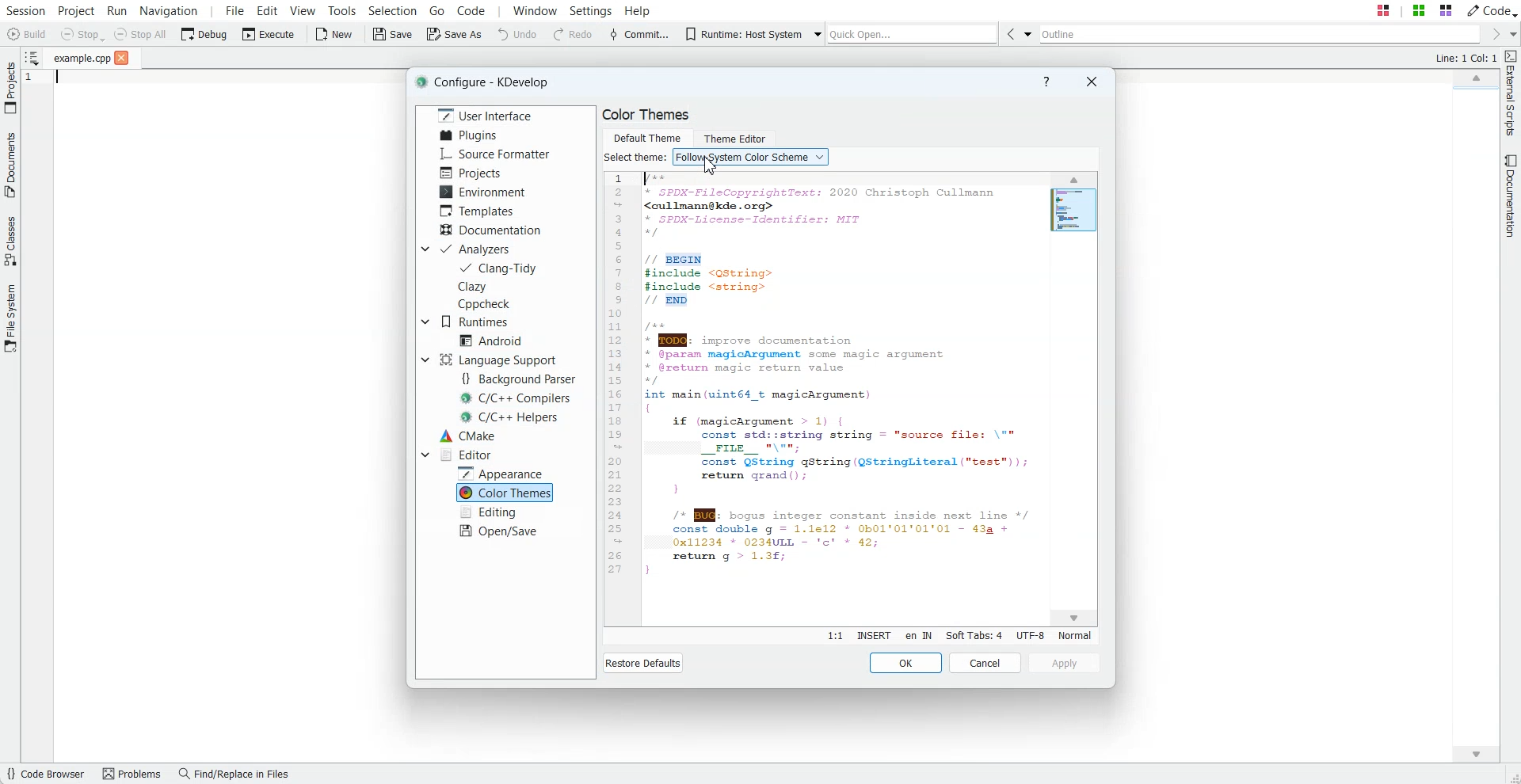 This screenshot has height=784, width=1521. What do you see at coordinates (1492, 35) in the screenshot?
I see `Go Forward` at bounding box center [1492, 35].